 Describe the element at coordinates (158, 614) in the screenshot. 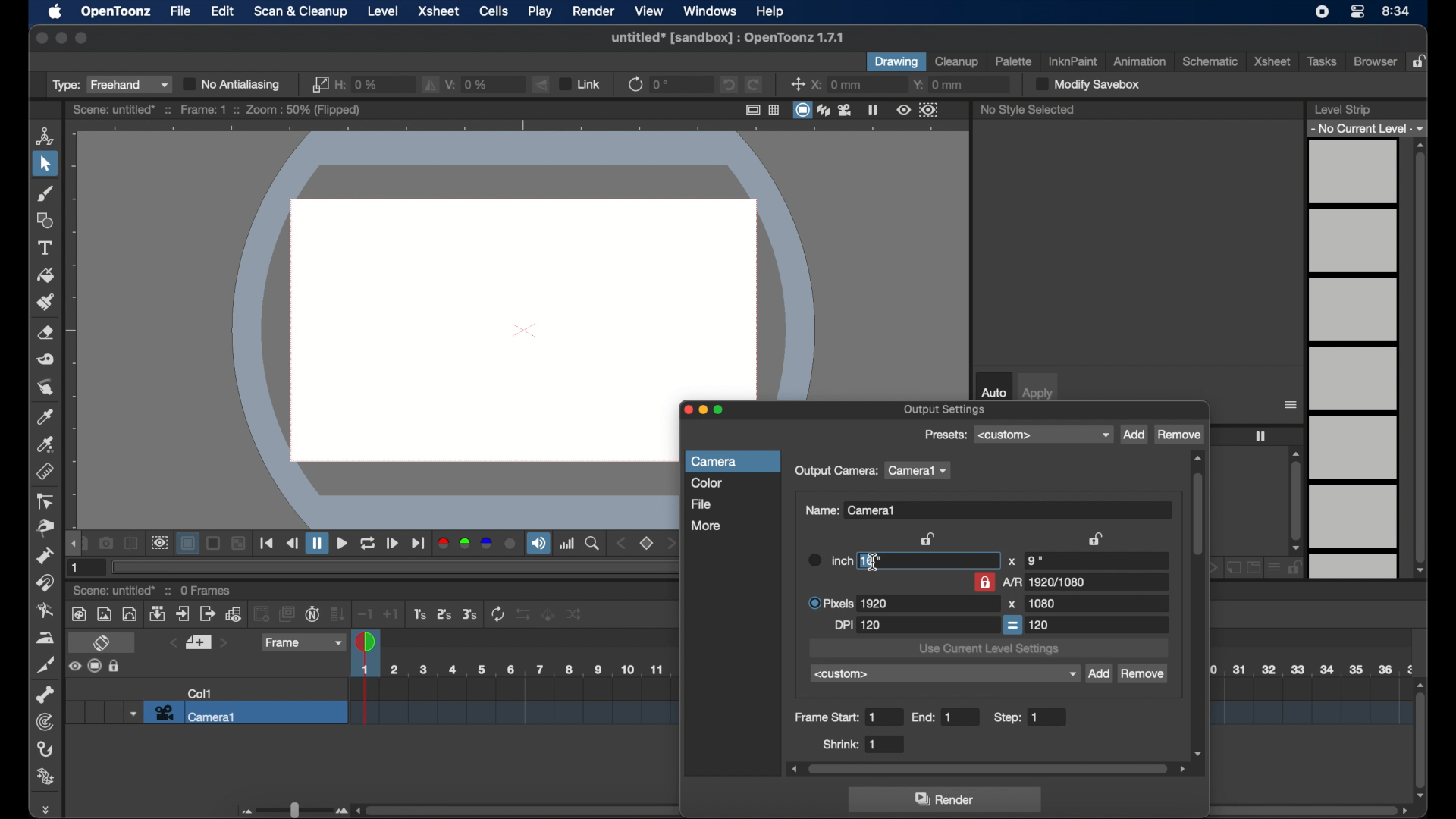

I see `` at that location.